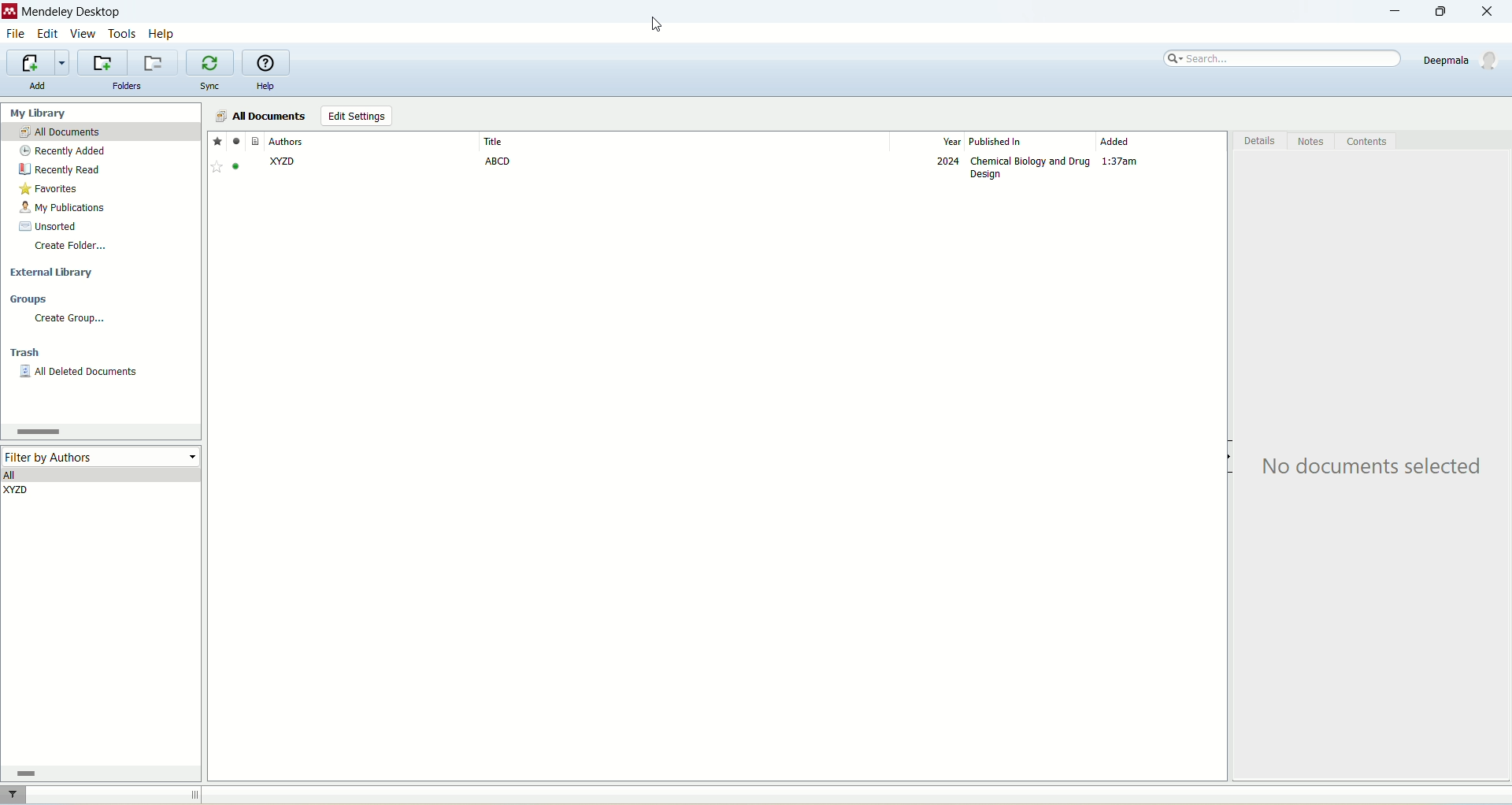  What do you see at coordinates (98, 773) in the screenshot?
I see `horizontal scroll bar` at bounding box center [98, 773].